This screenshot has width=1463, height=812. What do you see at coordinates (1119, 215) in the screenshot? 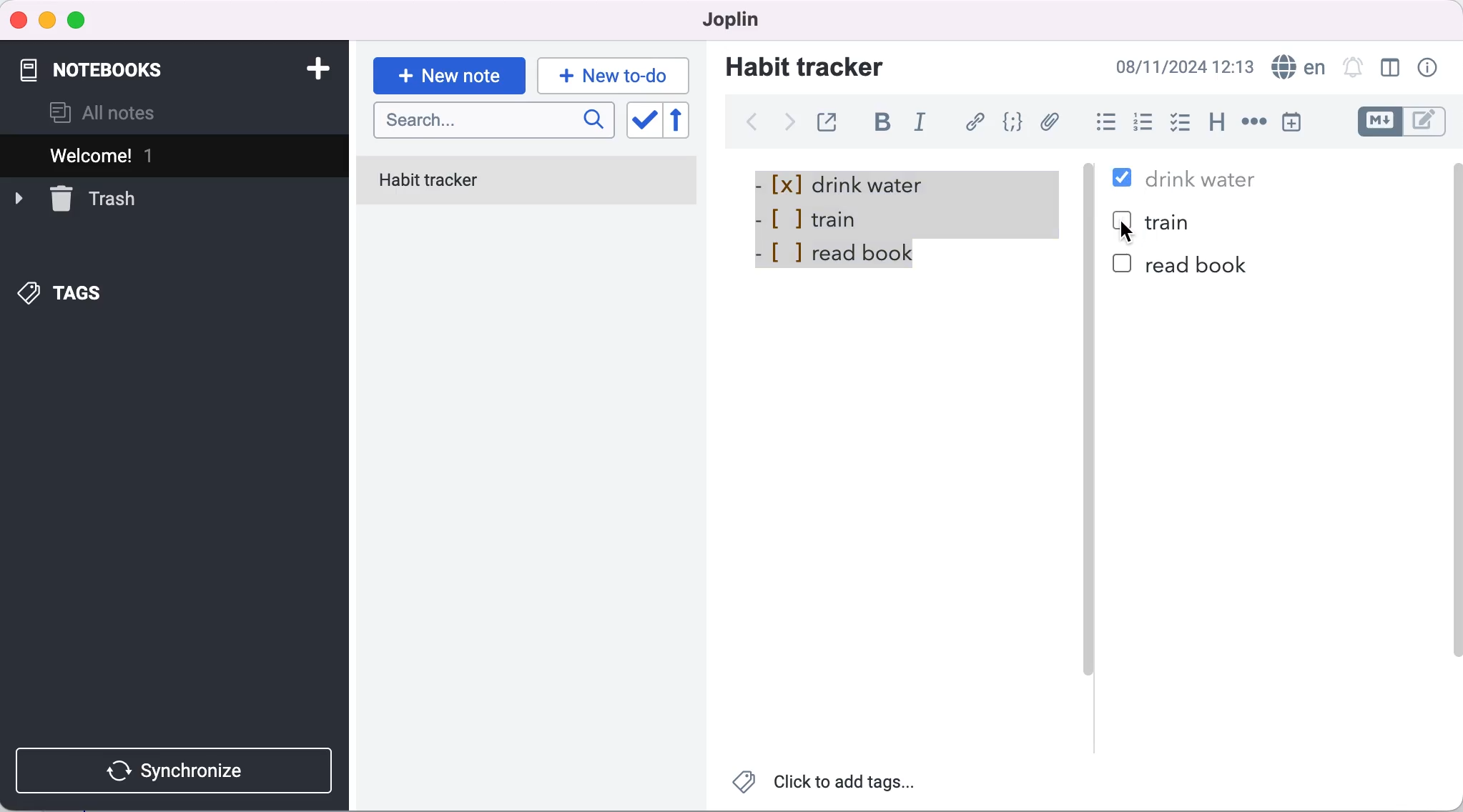
I see `check box 2` at bounding box center [1119, 215].